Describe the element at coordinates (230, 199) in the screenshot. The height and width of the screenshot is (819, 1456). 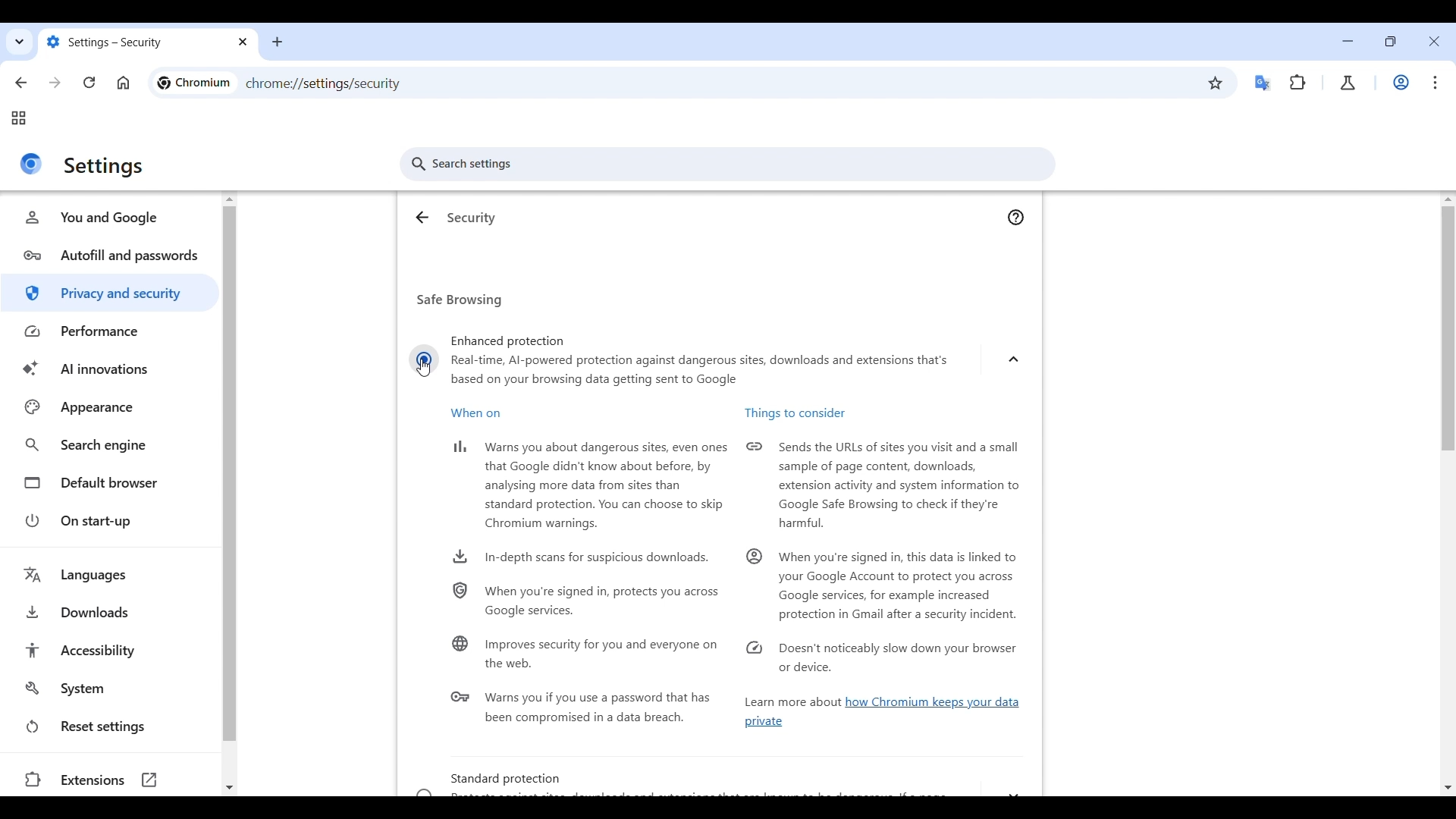
I see `Quick slide to the top` at that location.